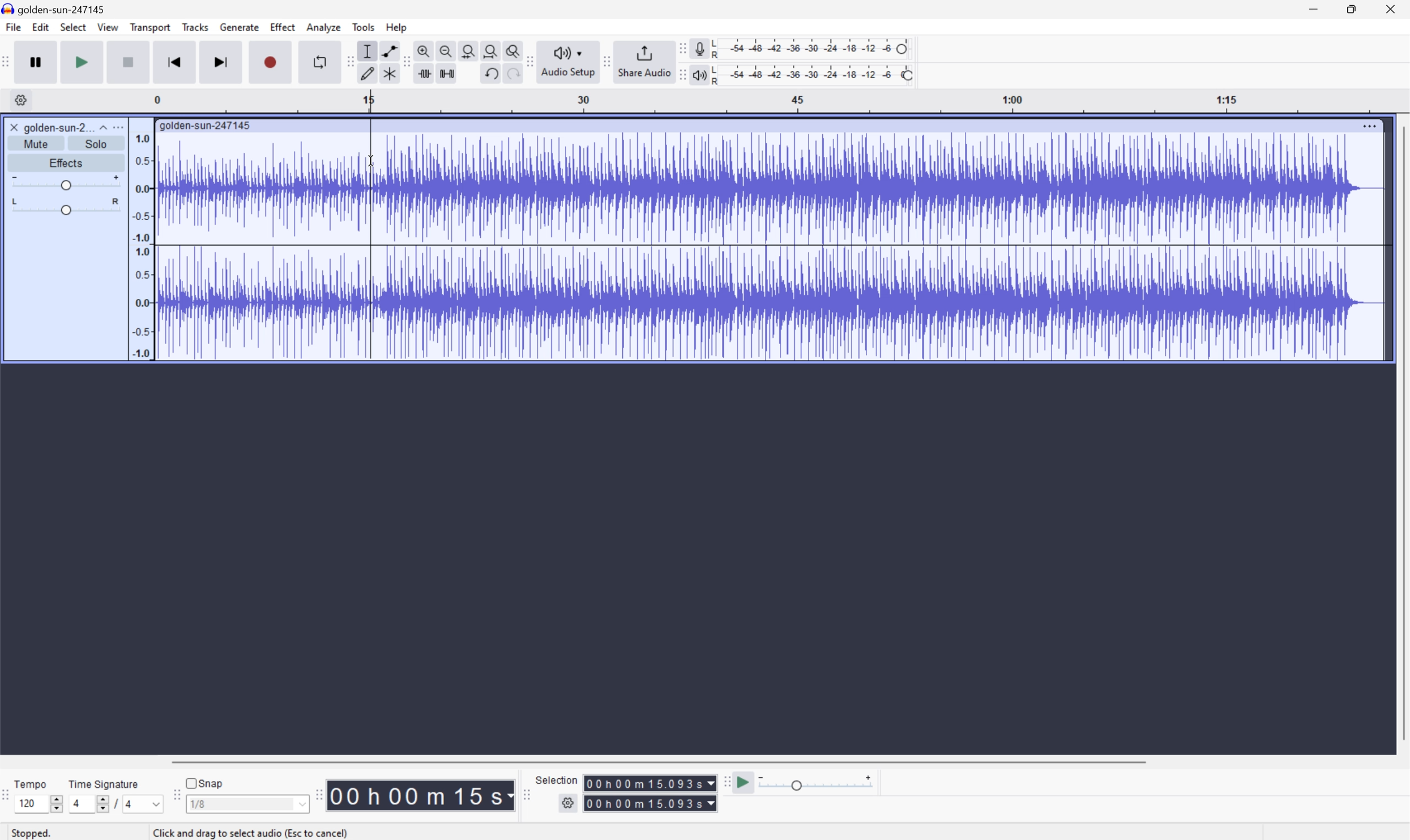  I want to click on Audacity recording meter toolbar, so click(681, 48).